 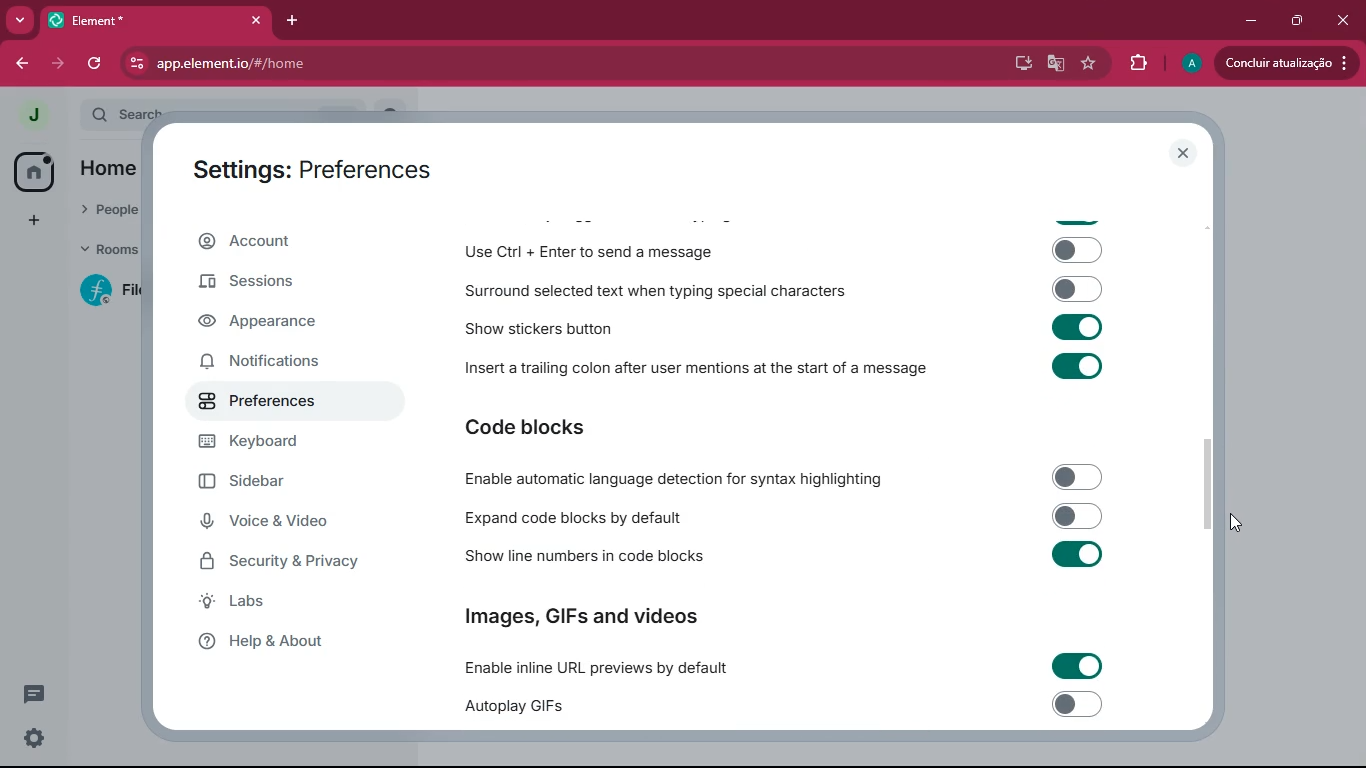 What do you see at coordinates (98, 63) in the screenshot?
I see `refresh` at bounding box center [98, 63].